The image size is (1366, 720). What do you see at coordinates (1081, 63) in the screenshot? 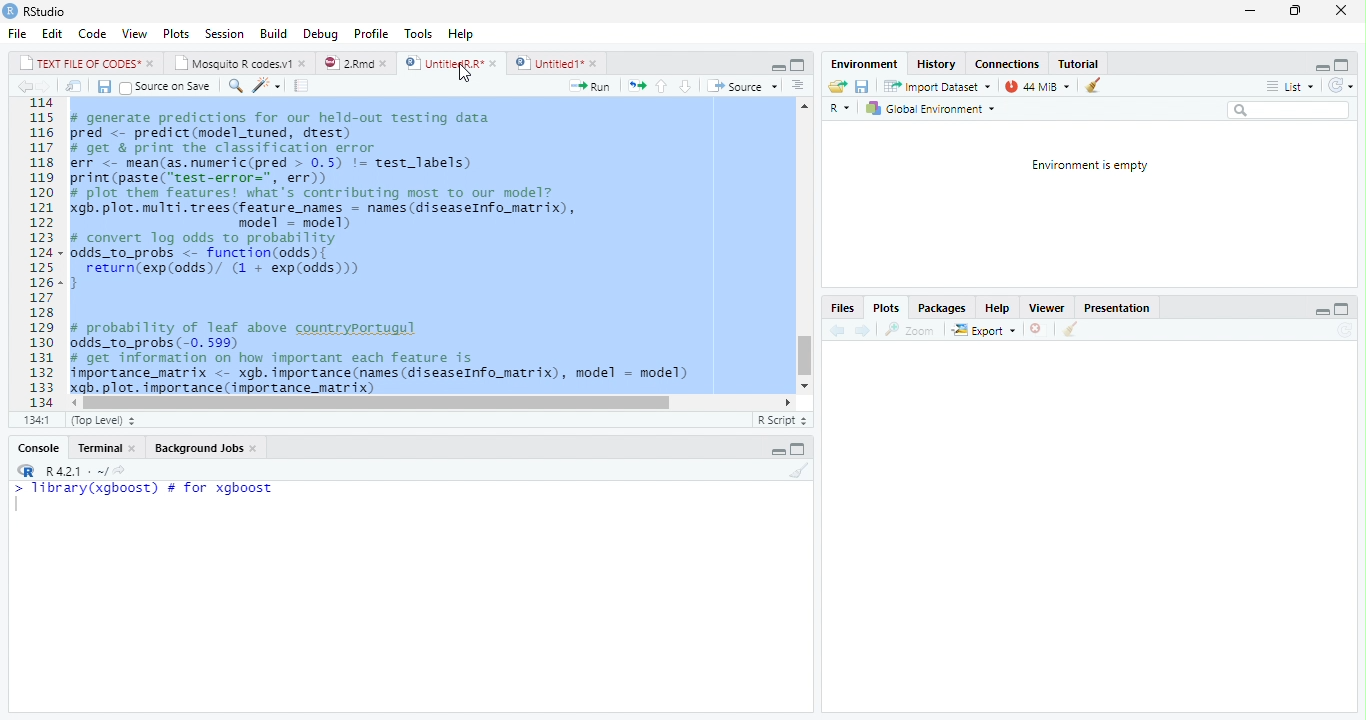
I see `Tutorial` at bounding box center [1081, 63].